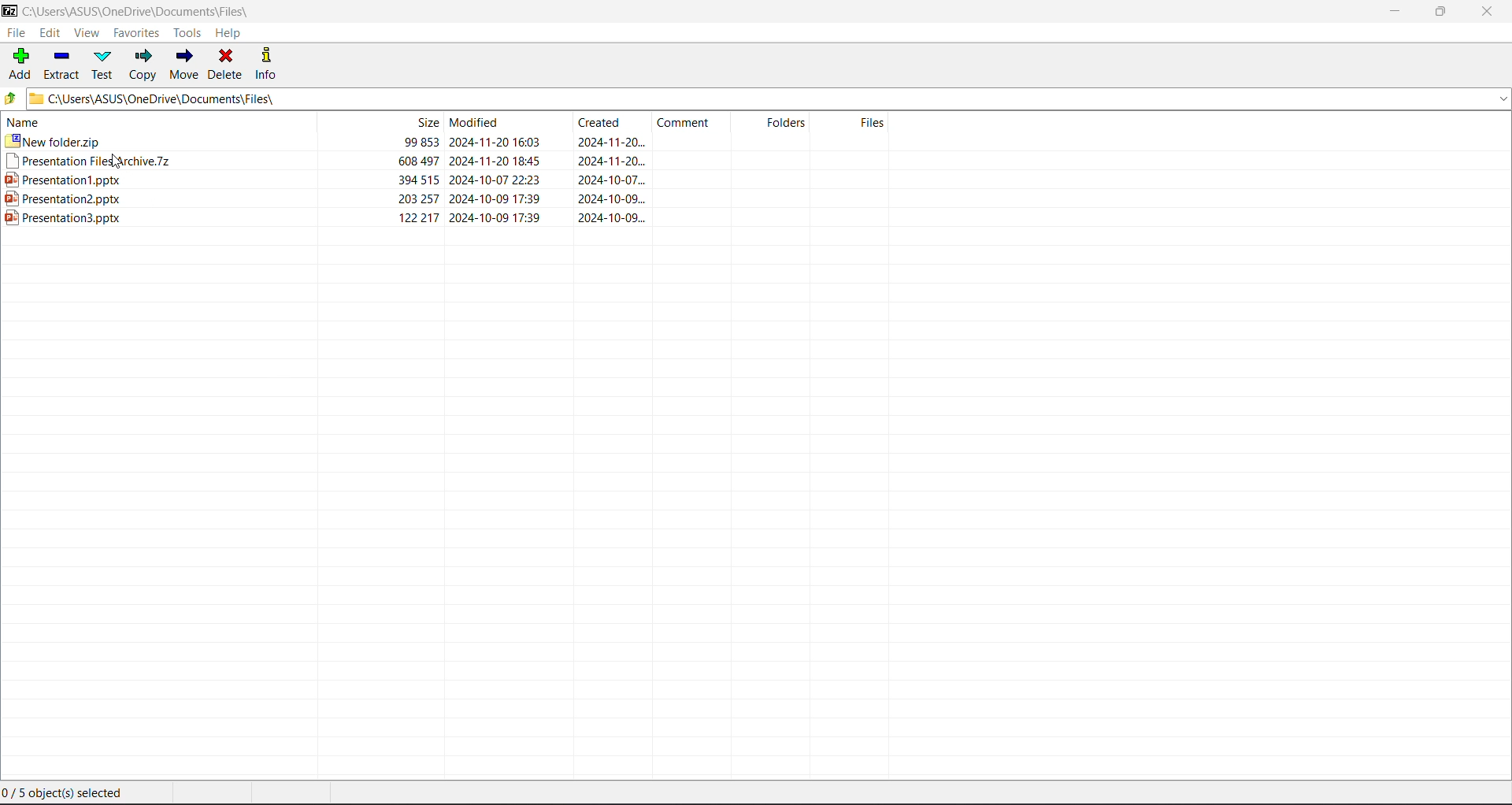 The width and height of the screenshot is (1512, 805). Describe the element at coordinates (18, 63) in the screenshot. I see `Add` at that location.